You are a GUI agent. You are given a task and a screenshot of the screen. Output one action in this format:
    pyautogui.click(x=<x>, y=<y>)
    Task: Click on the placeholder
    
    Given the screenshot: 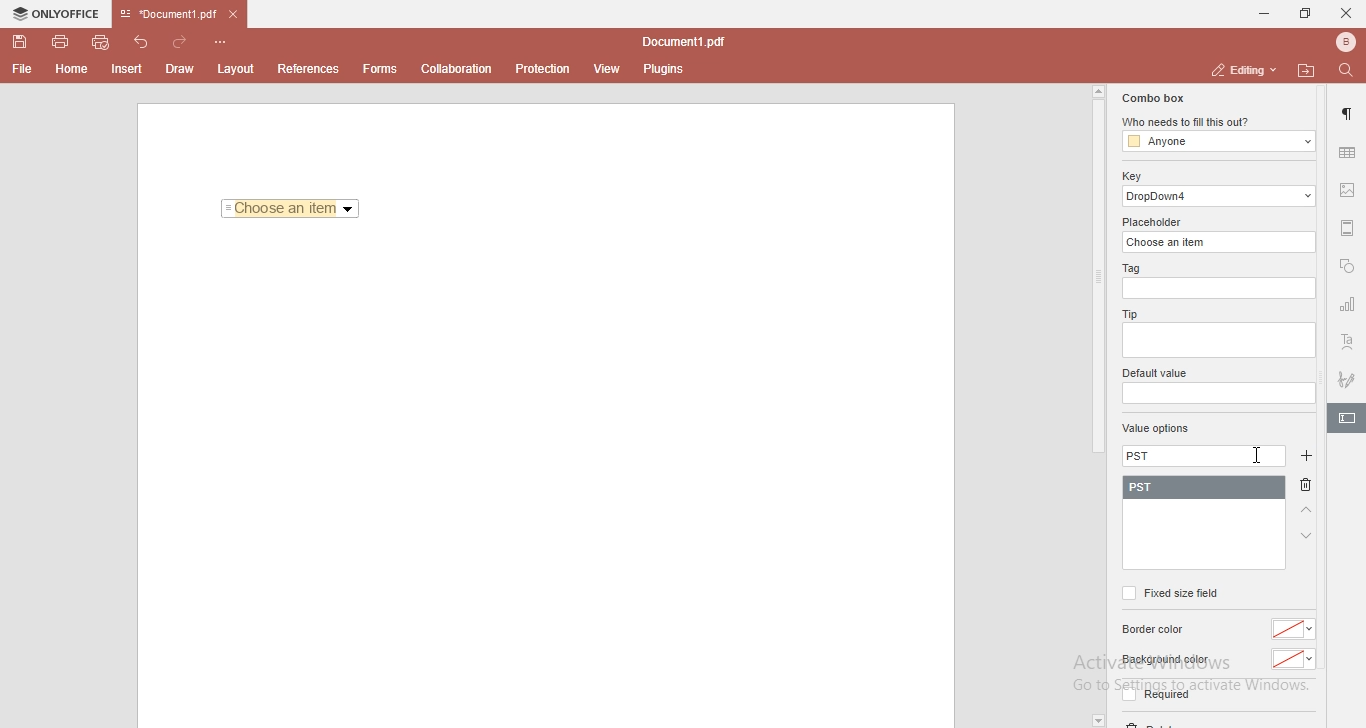 What is the action you would take?
    pyautogui.click(x=1155, y=222)
    